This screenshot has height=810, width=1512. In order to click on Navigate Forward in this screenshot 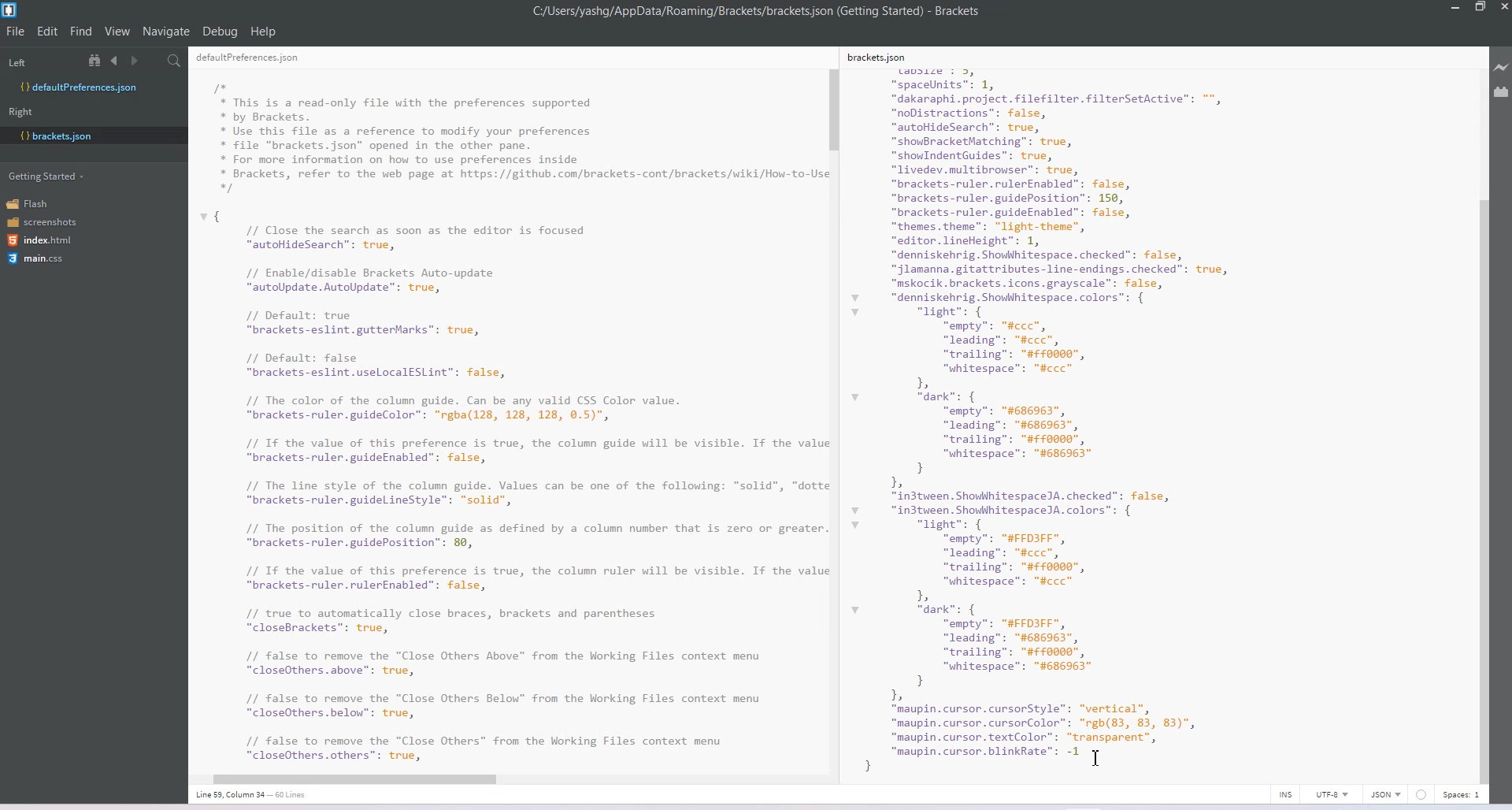, I will do `click(136, 61)`.